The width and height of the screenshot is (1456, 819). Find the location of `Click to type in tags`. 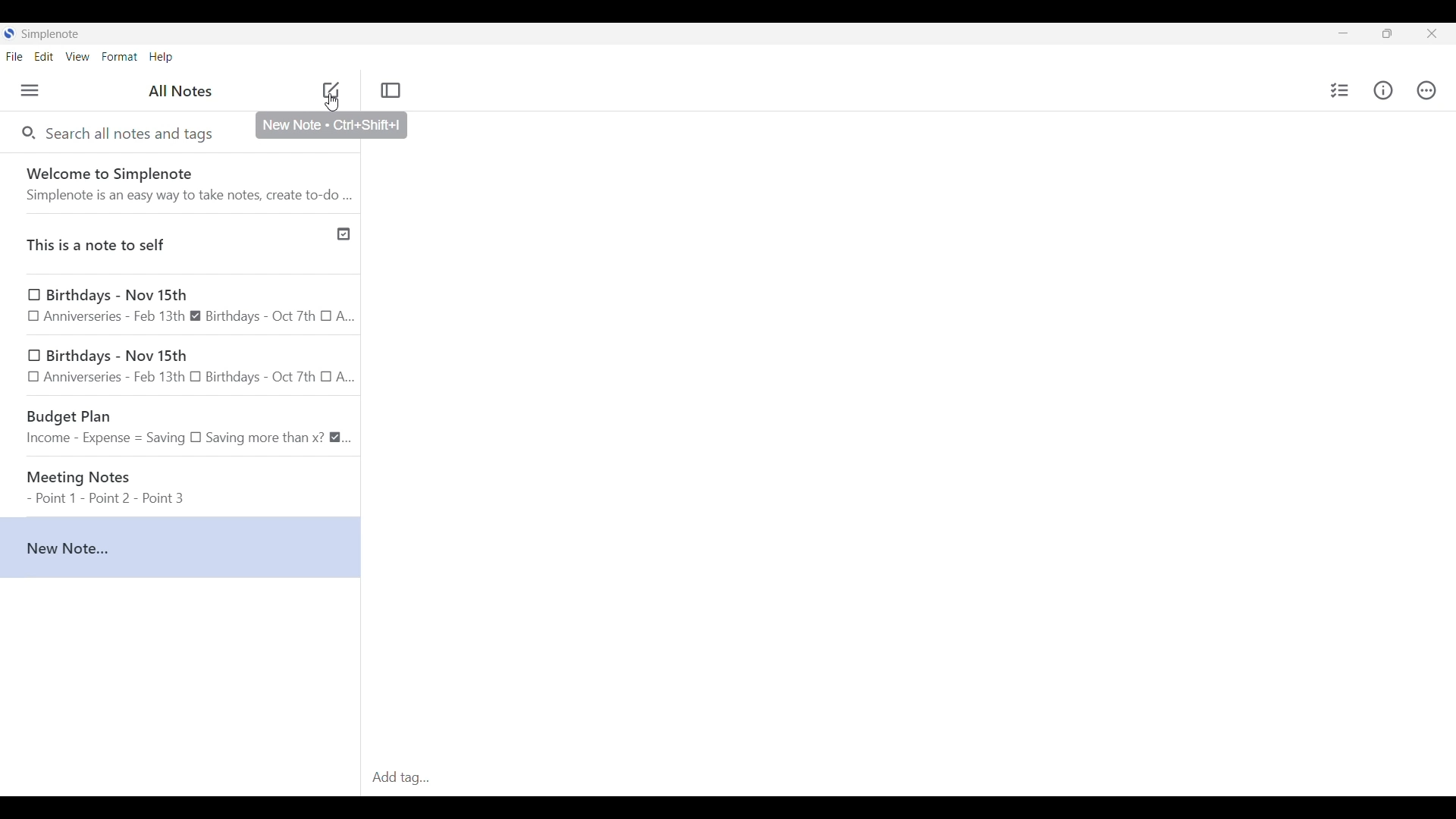

Click to type in tags is located at coordinates (907, 779).